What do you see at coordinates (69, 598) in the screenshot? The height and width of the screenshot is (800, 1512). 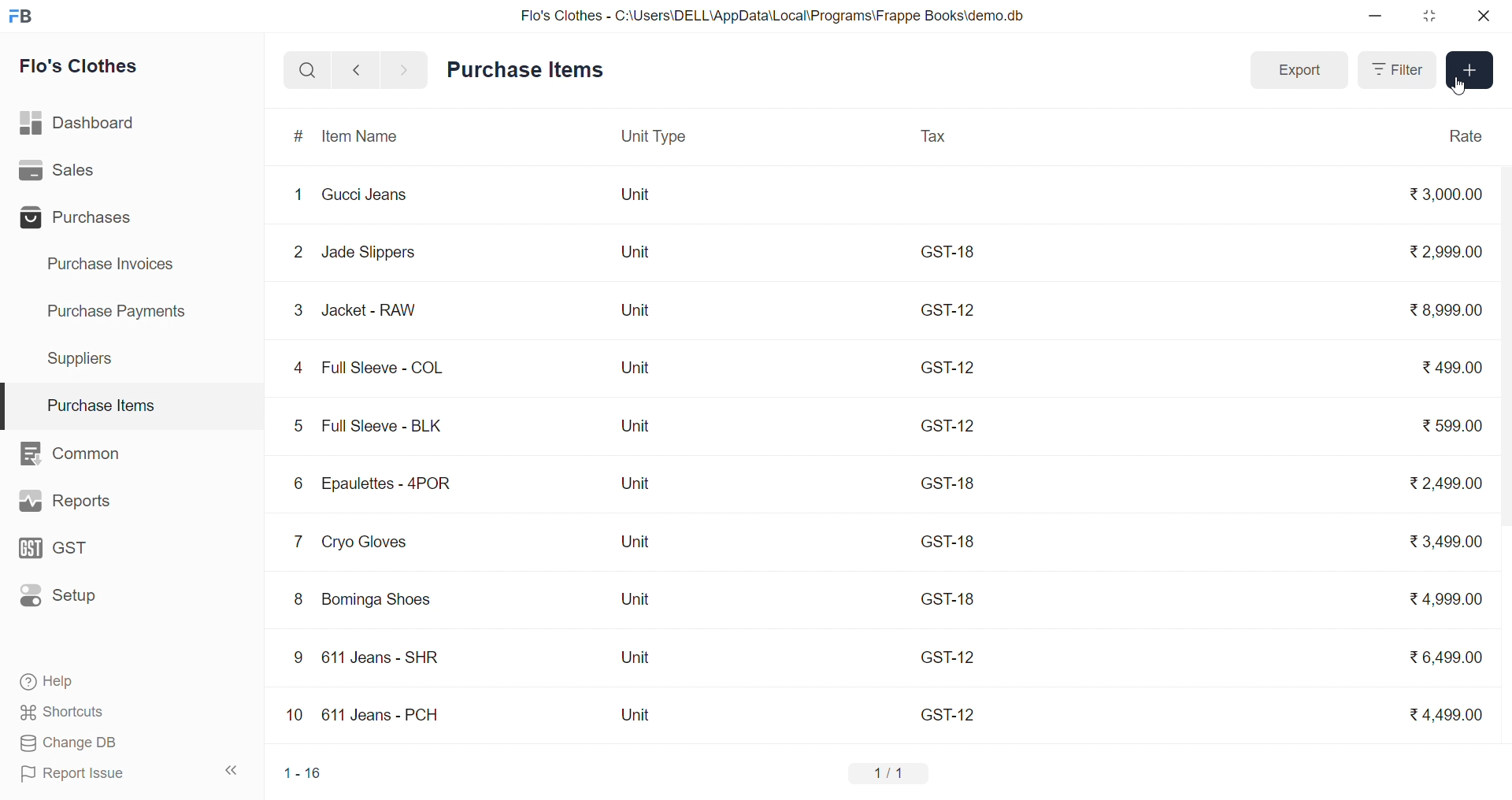 I see `Setup` at bounding box center [69, 598].